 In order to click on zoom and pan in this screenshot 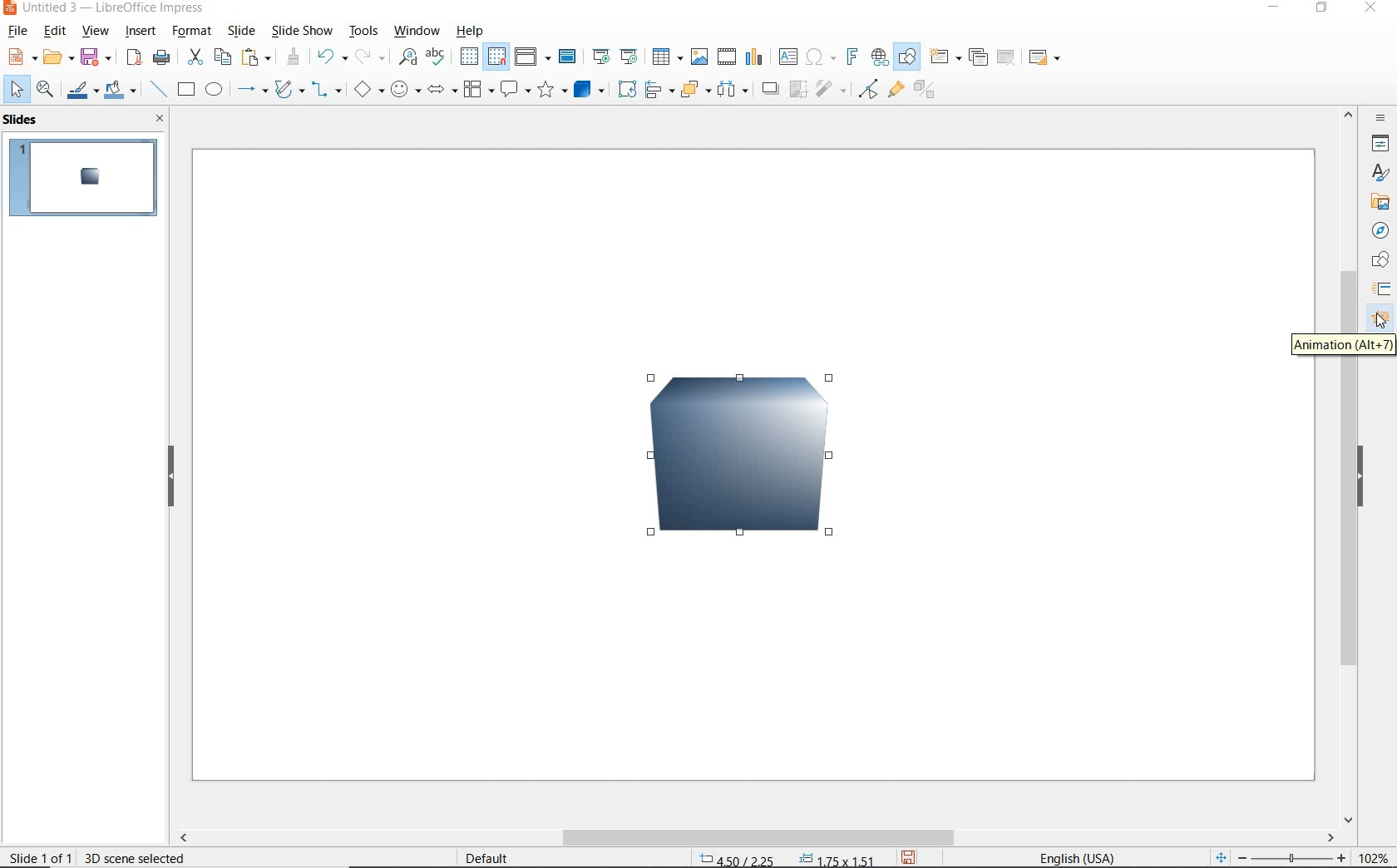, I will do `click(45, 91)`.